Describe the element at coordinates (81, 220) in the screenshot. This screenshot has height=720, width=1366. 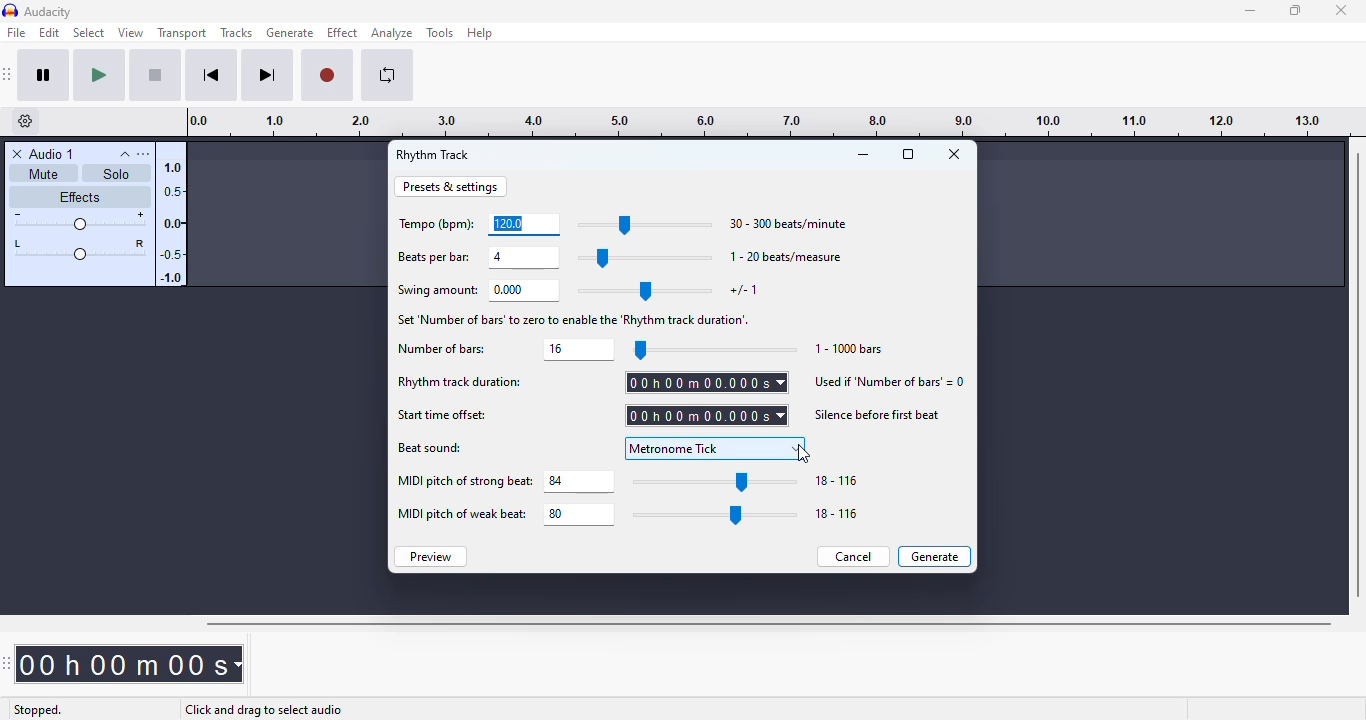
I see `volume` at that location.